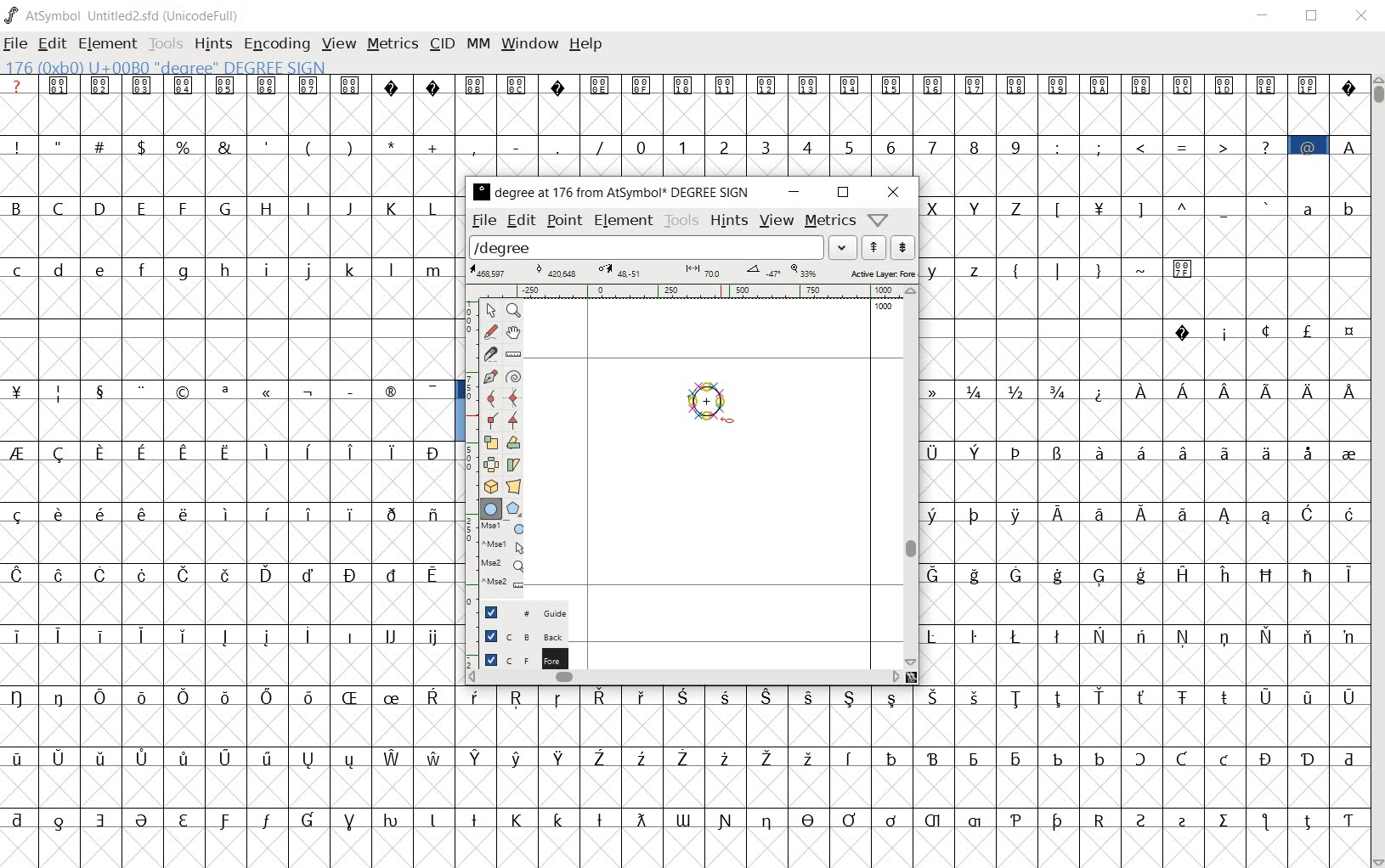 Image resolution: width=1385 pixels, height=868 pixels. Describe the element at coordinates (531, 42) in the screenshot. I see `window` at that location.